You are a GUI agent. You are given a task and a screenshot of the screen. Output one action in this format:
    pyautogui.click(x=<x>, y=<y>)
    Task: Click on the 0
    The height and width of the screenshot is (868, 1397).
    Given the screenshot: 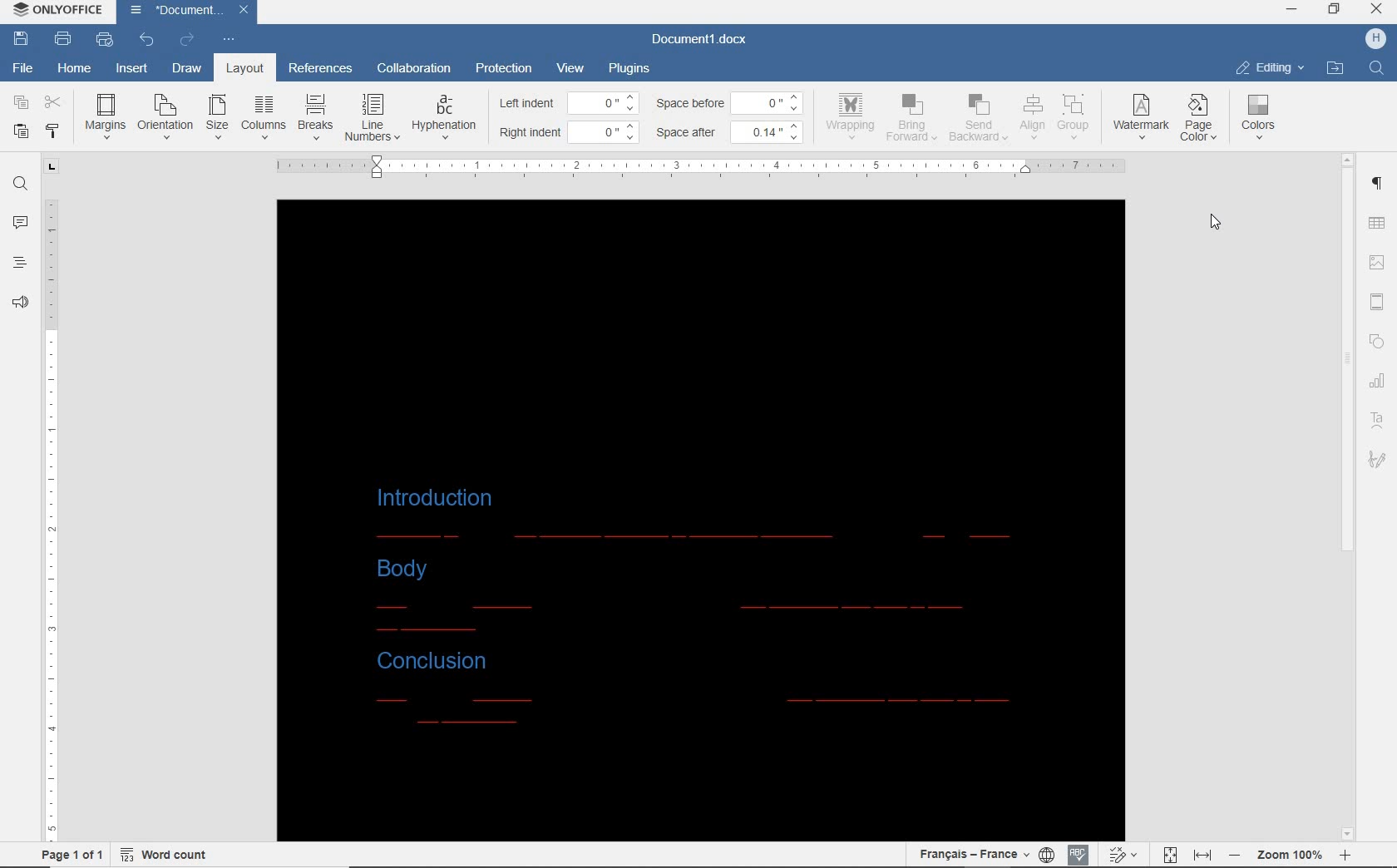 What is the action you would take?
    pyautogui.click(x=768, y=104)
    